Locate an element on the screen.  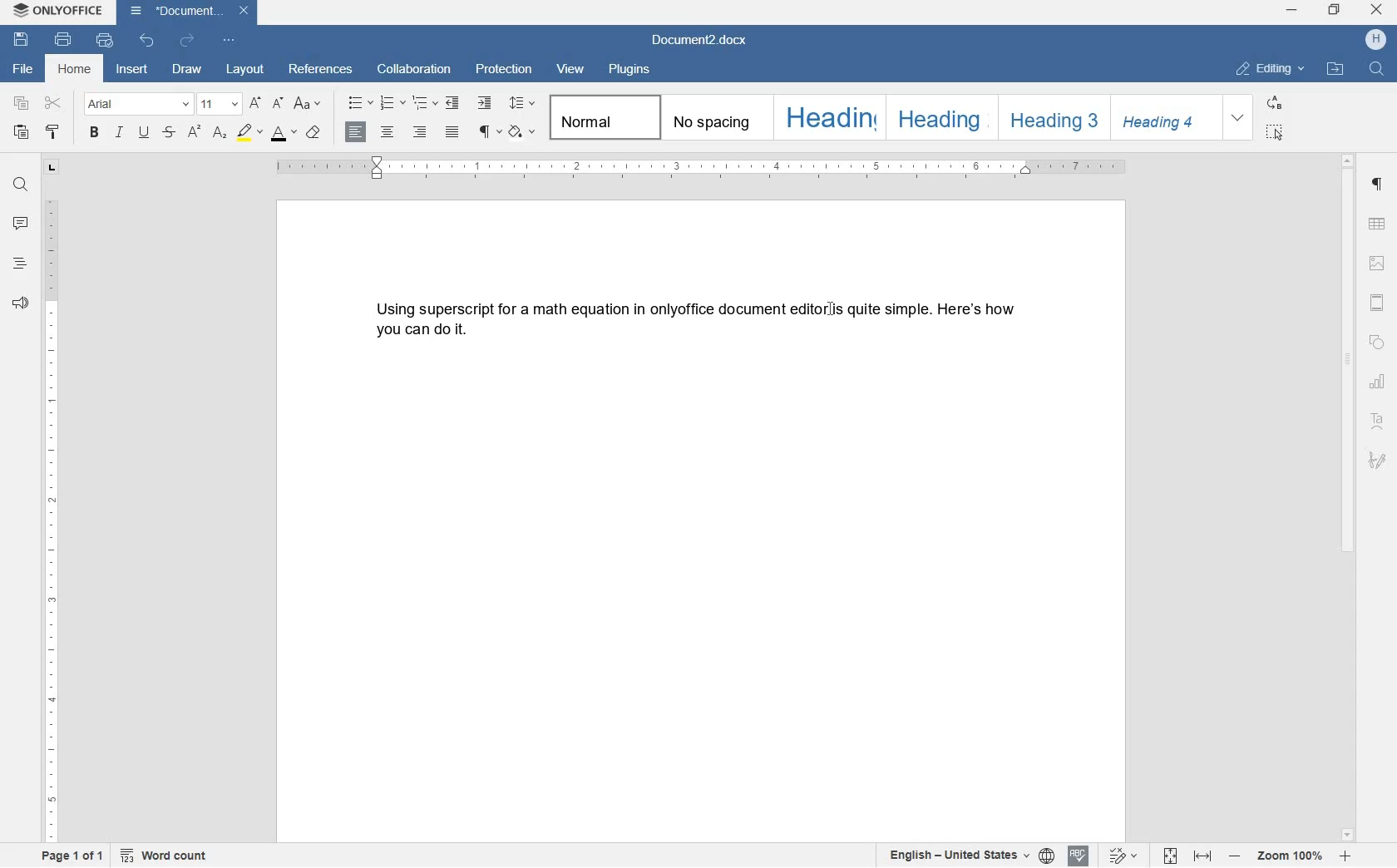
ONLYOFFICE is located at coordinates (57, 11).